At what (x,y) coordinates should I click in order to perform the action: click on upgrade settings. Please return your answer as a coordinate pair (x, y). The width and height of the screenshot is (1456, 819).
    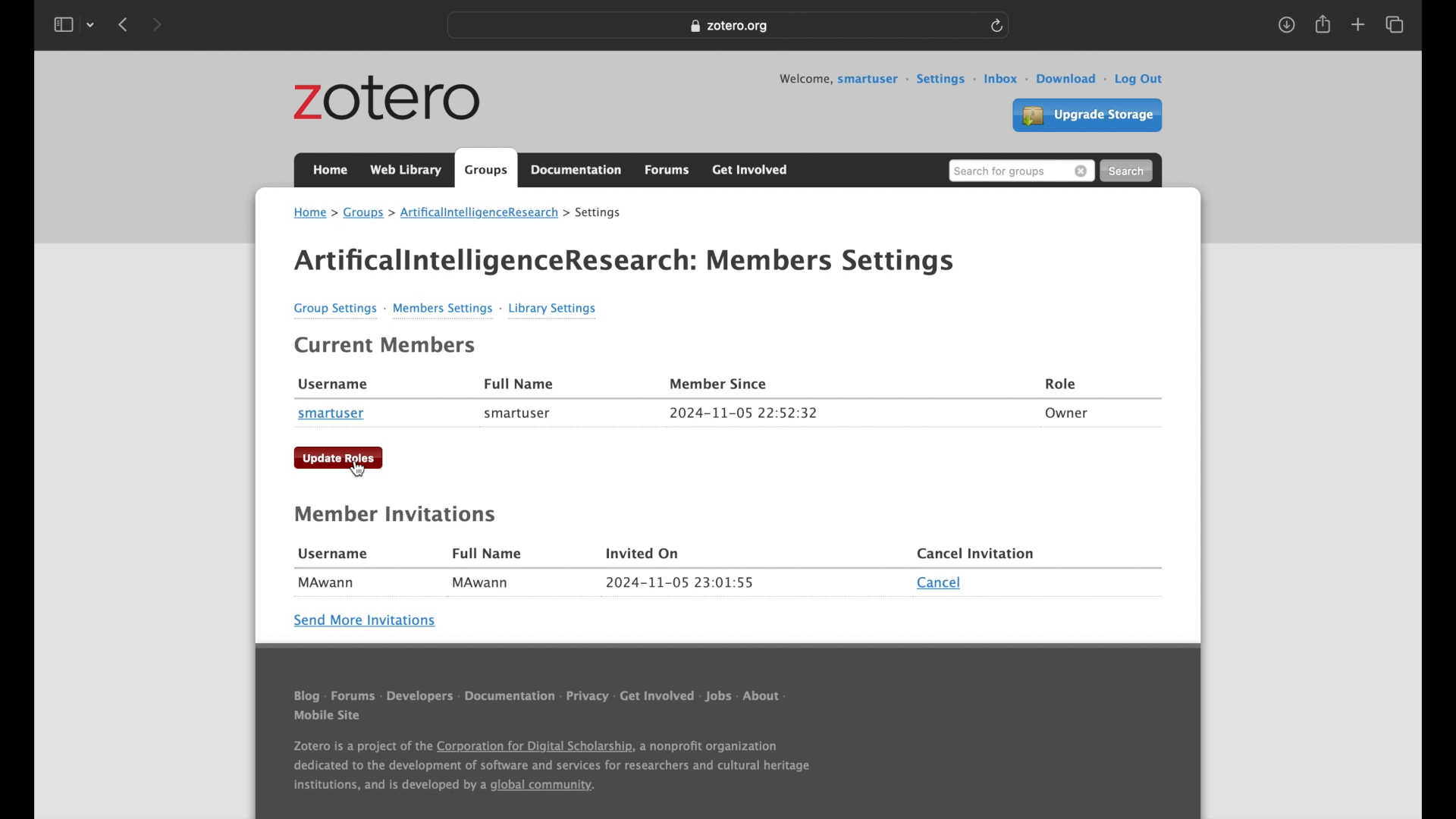
    Looking at the image, I should click on (1087, 115).